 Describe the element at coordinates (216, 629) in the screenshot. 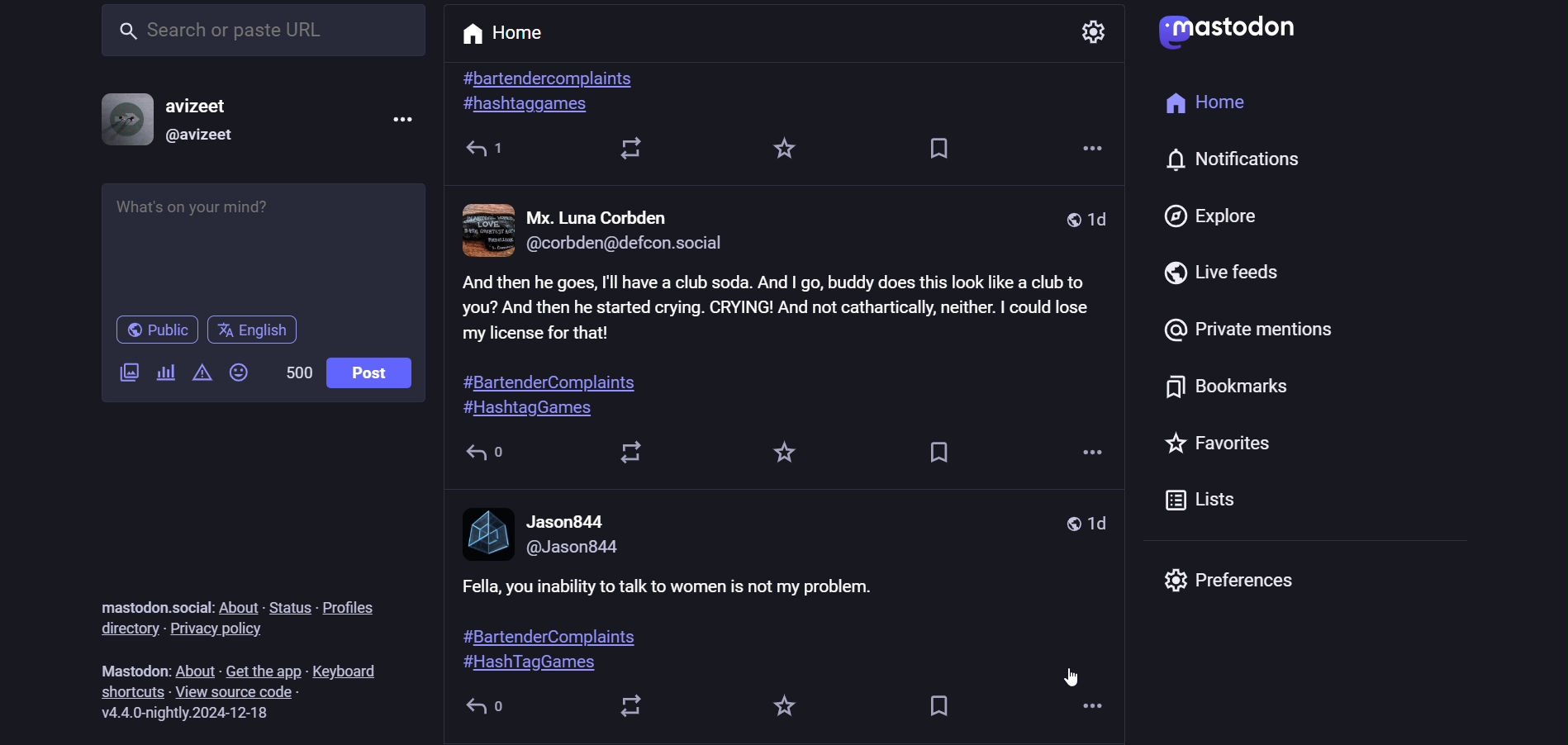

I see `privacy policy` at that location.